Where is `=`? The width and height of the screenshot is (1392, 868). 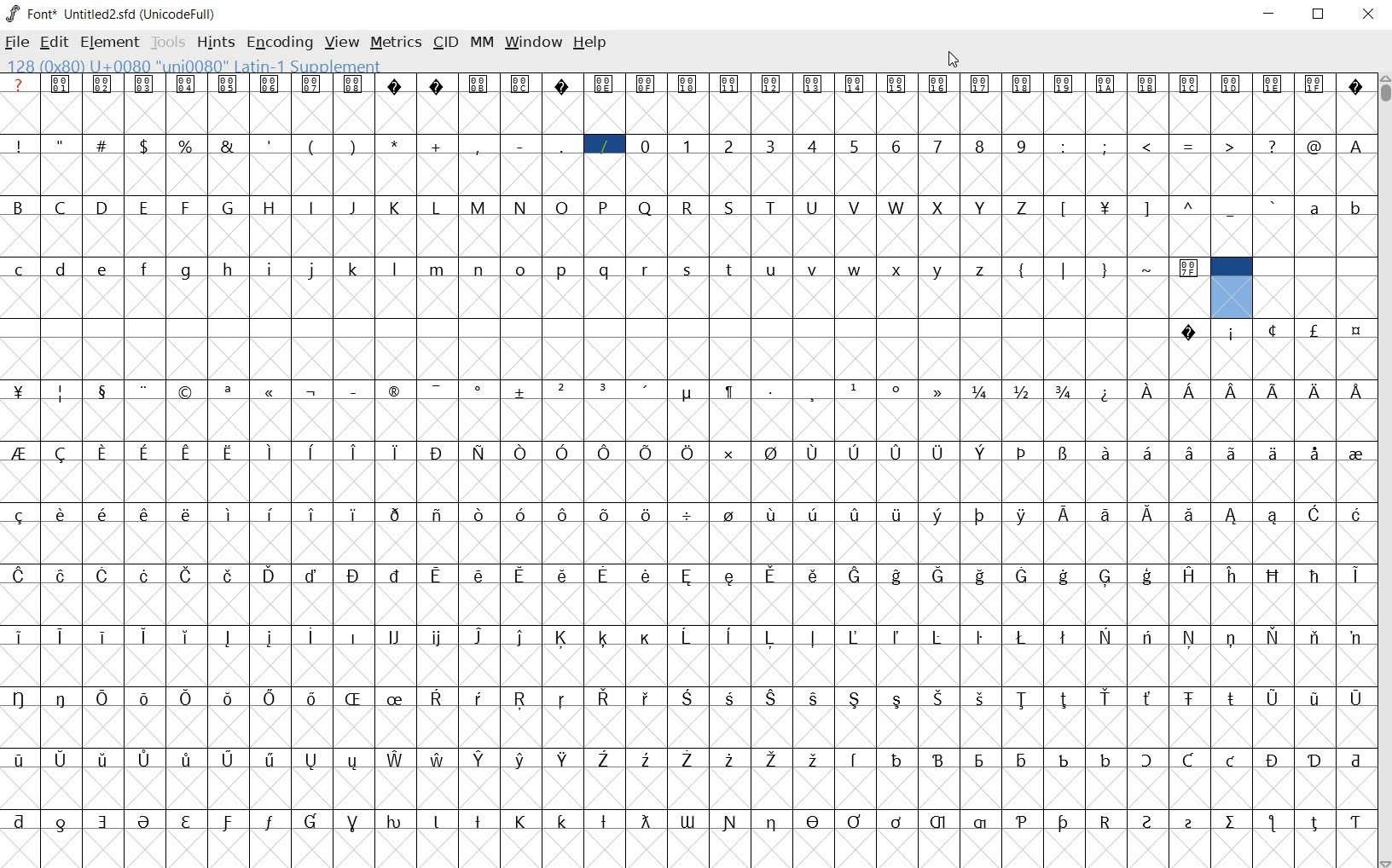
= is located at coordinates (1192, 145).